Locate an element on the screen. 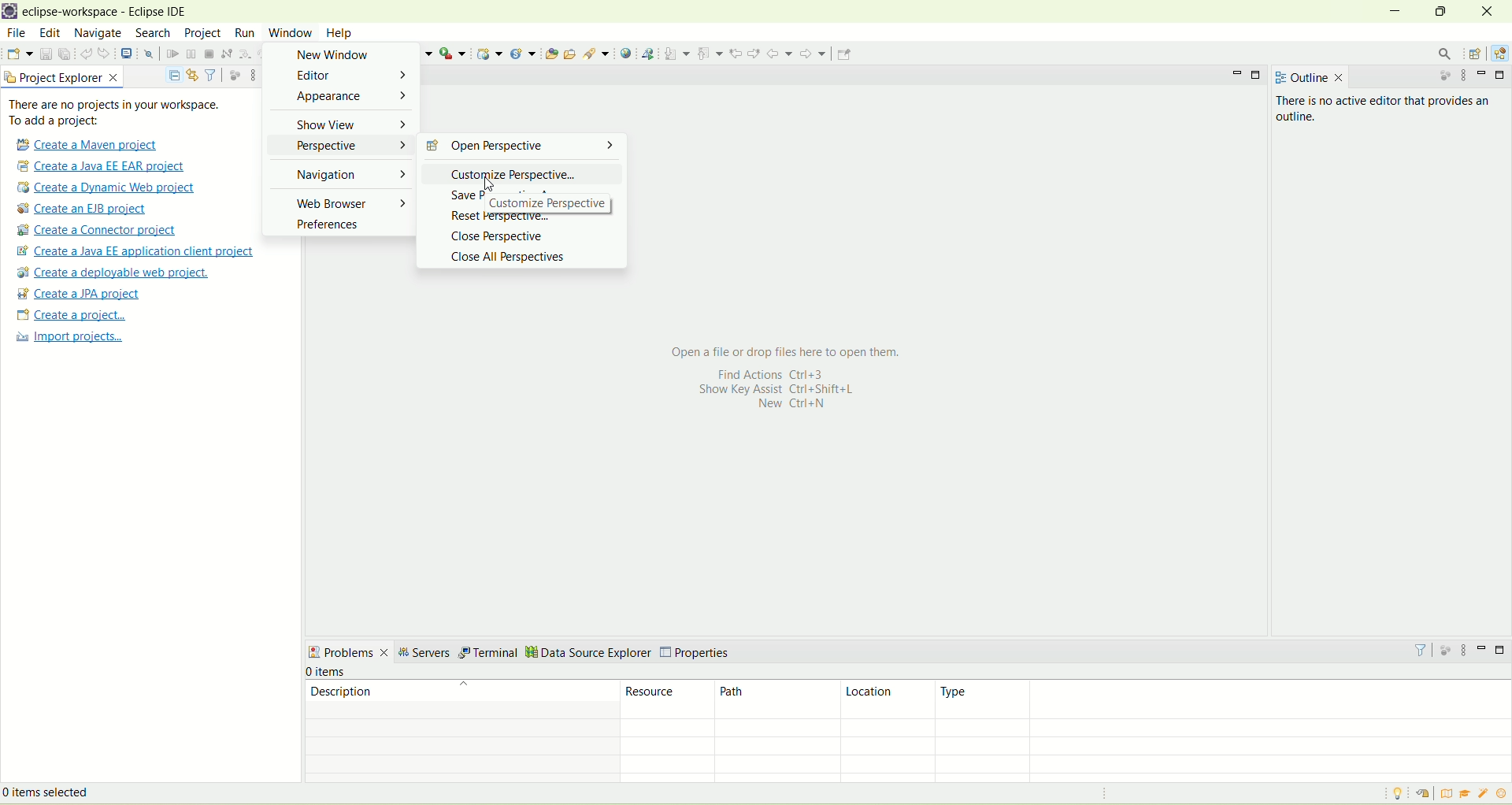  create a dynamic web project is located at coordinates (109, 187).